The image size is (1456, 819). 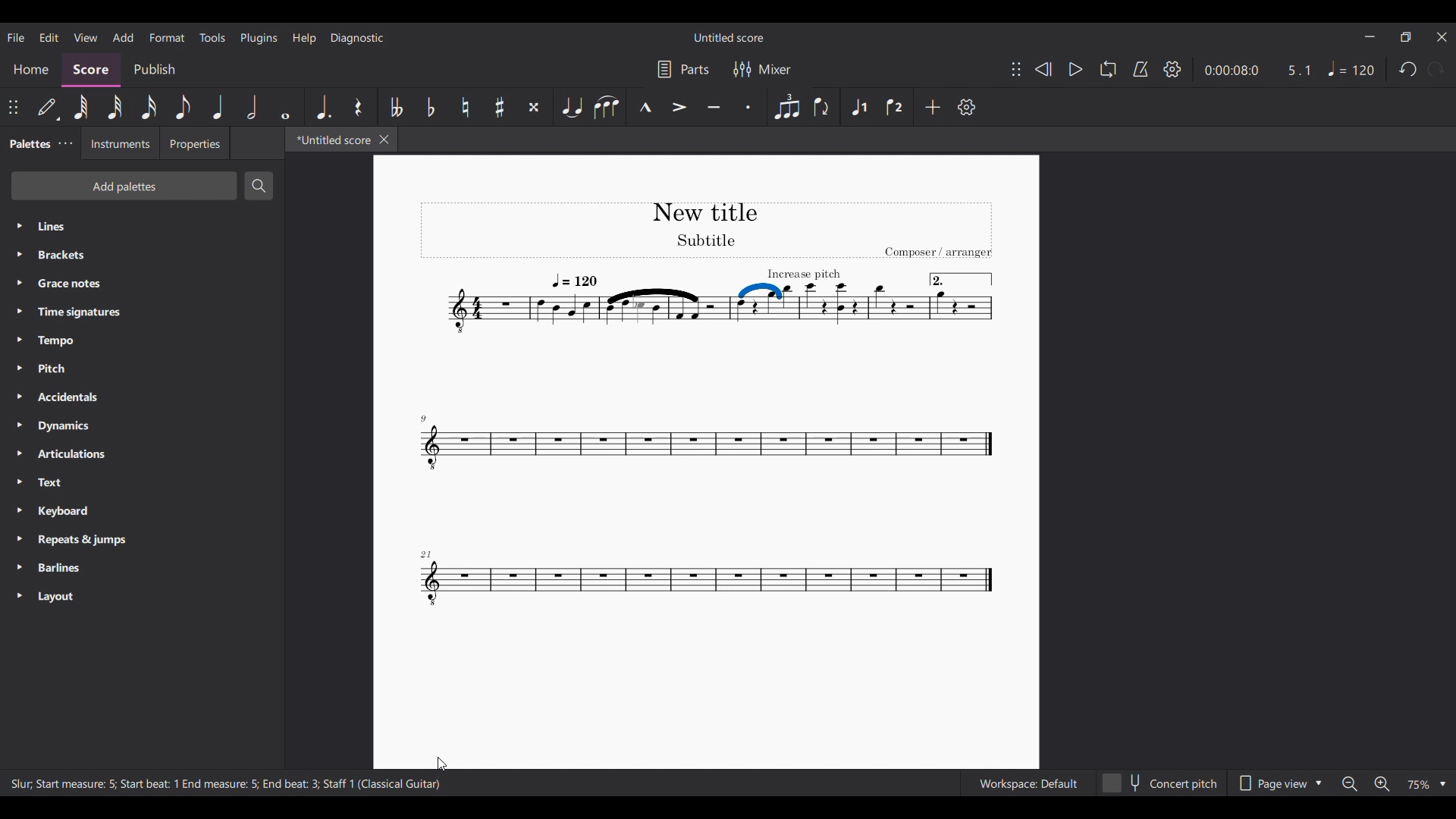 What do you see at coordinates (142, 341) in the screenshot?
I see `Tempo` at bounding box center [142, 341].